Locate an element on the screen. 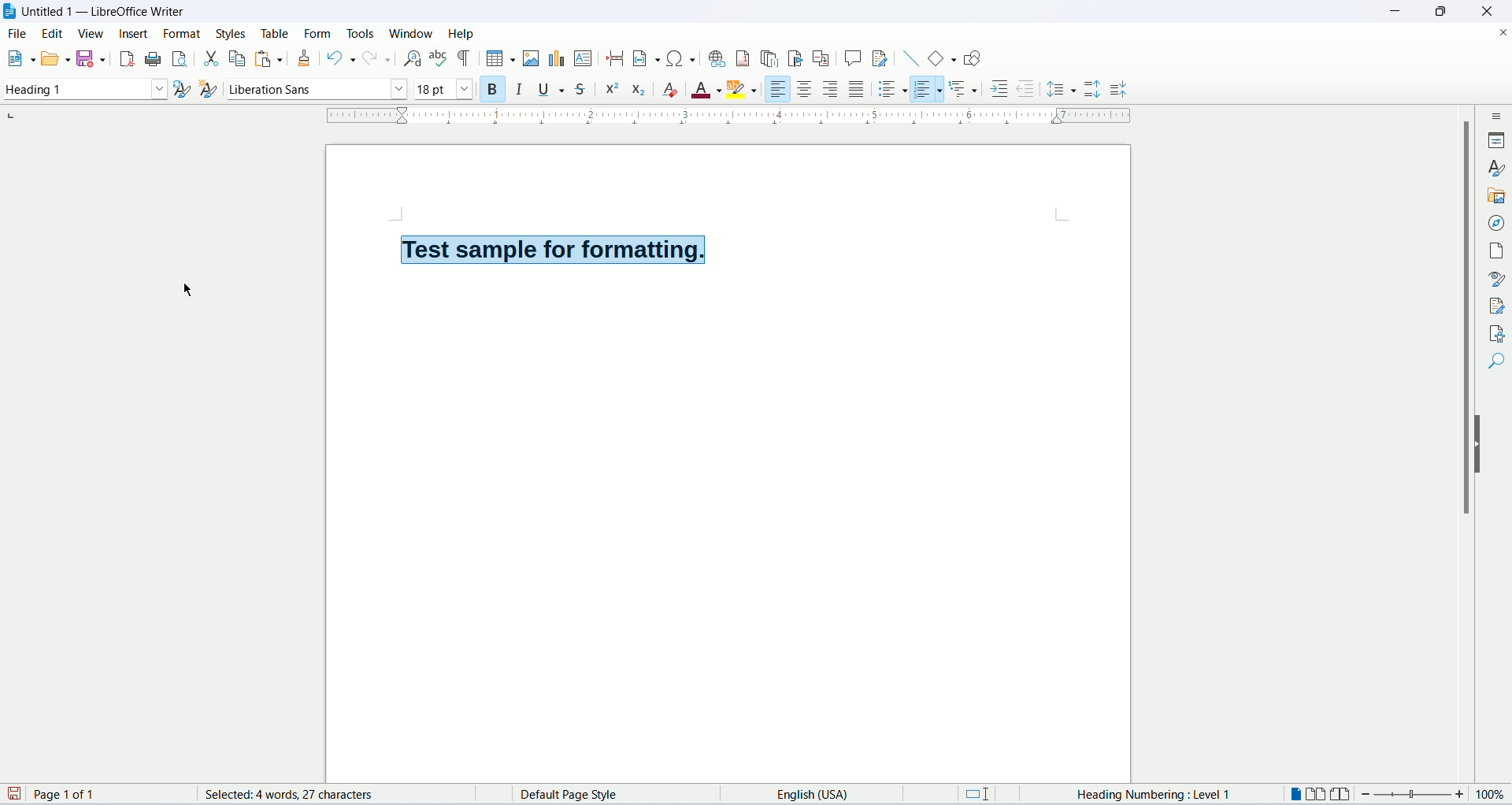 This screenshot has height=805, width=1512. new style is located at coordinates (209, 90).